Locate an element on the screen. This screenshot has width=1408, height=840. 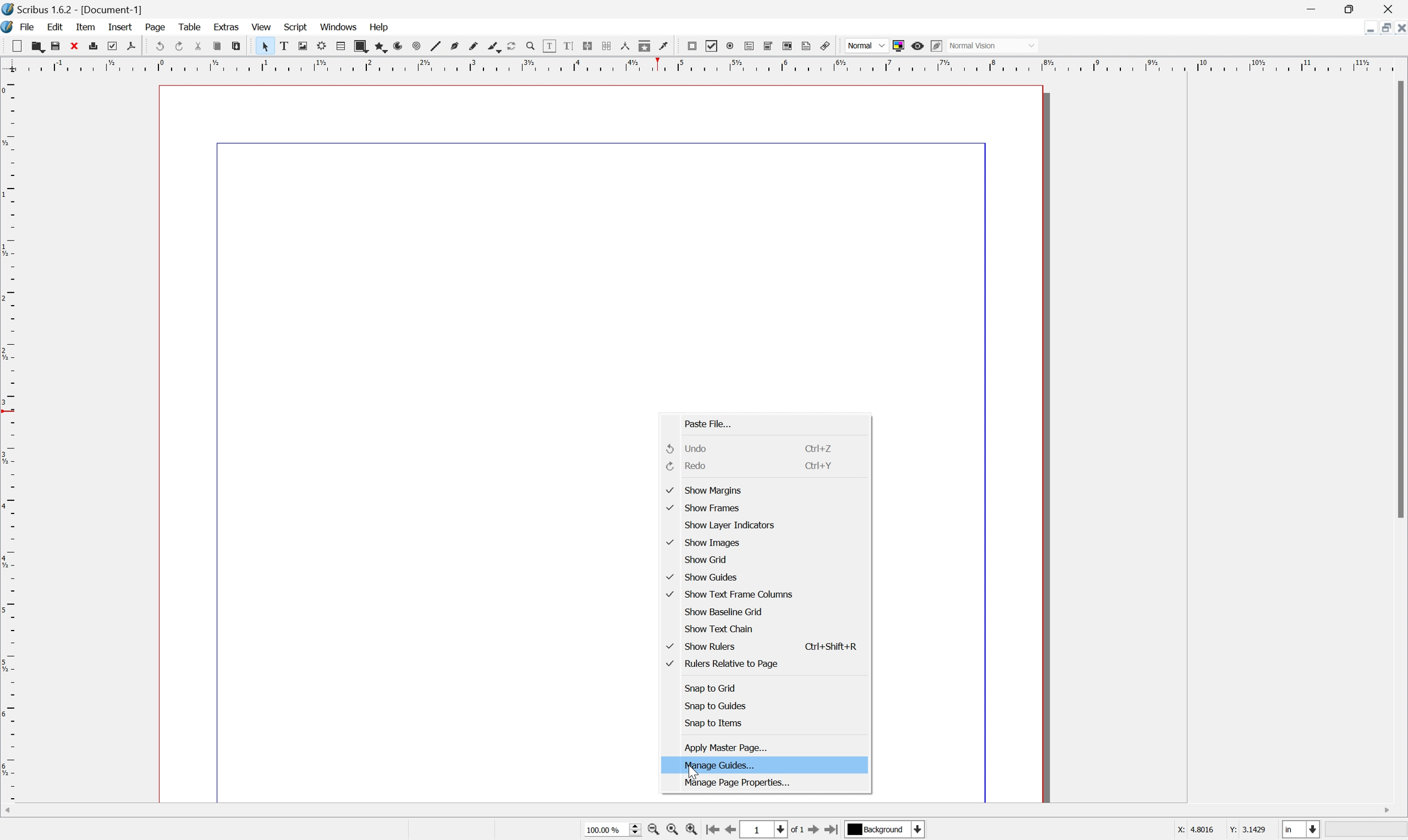
text annotation is located at coordinates (807, 45).